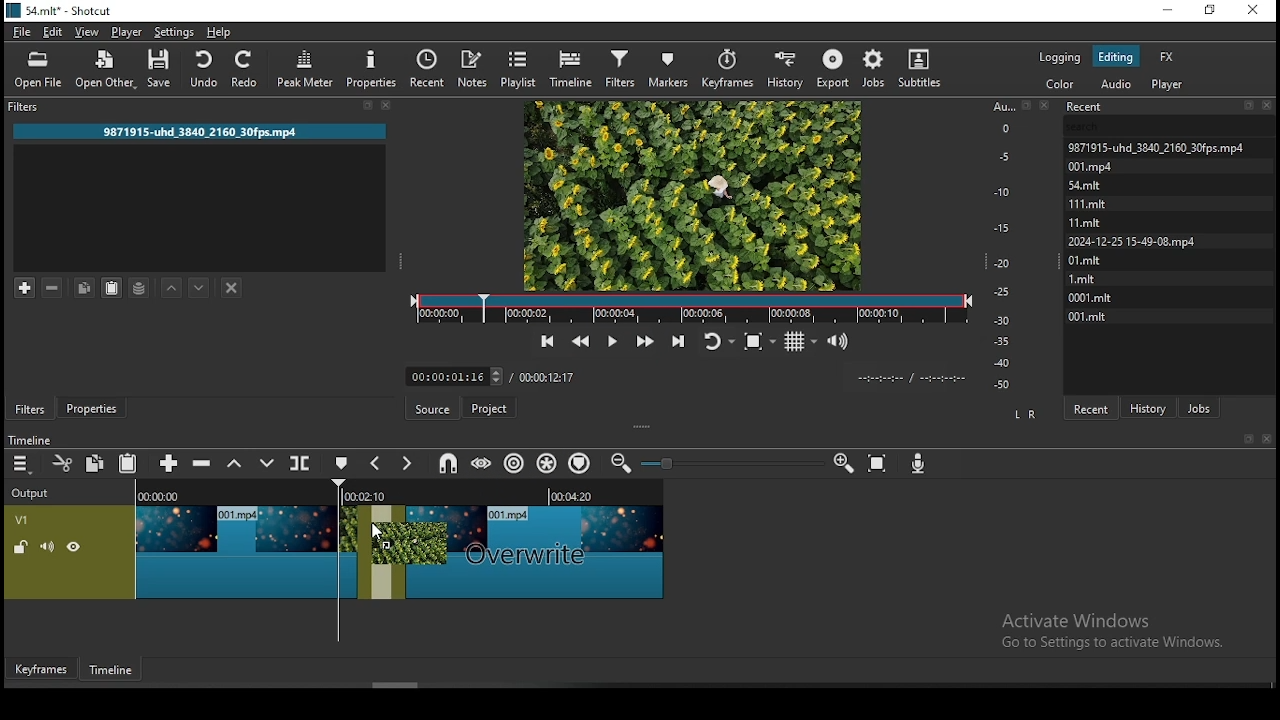 The width and height of the screenshot is (1280, 720). Describe the element at coordinates (1199, 408) in the screenshot. I see `jobs` at that location.